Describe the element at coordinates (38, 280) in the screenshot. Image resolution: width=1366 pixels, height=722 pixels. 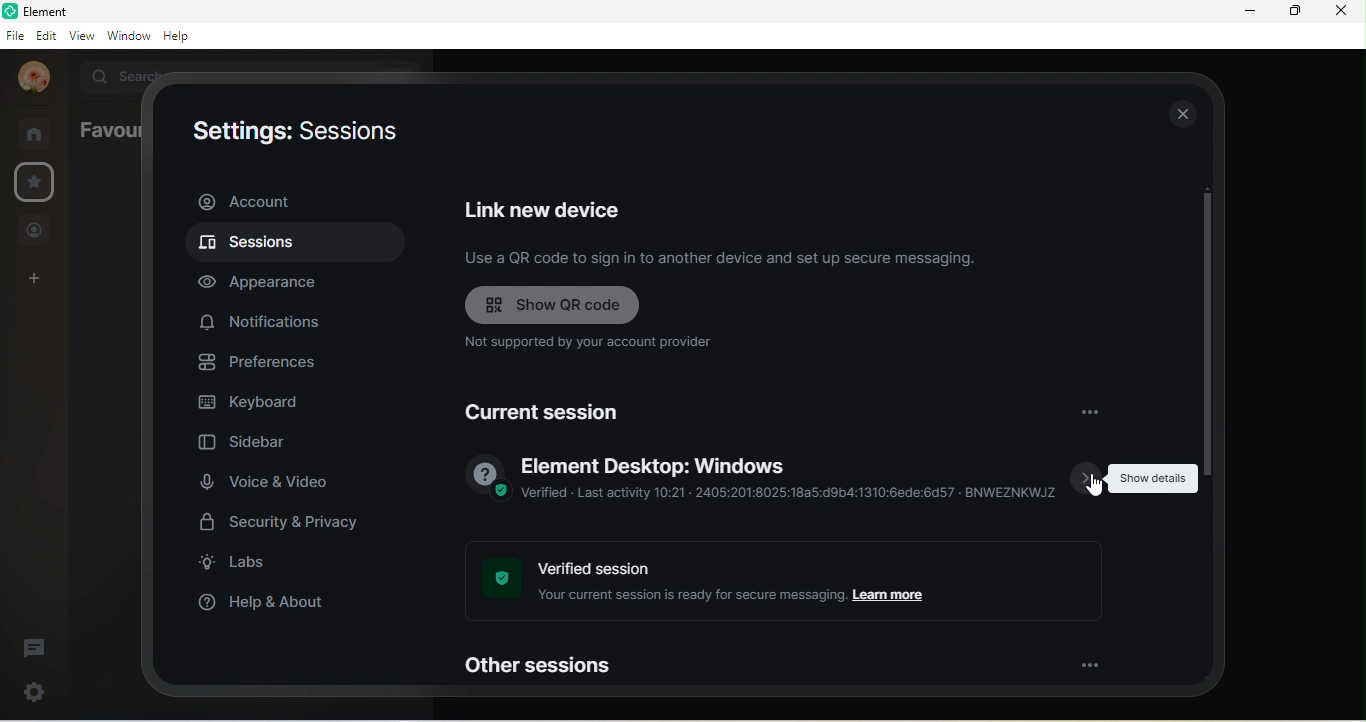
I see `create a space` at that location.